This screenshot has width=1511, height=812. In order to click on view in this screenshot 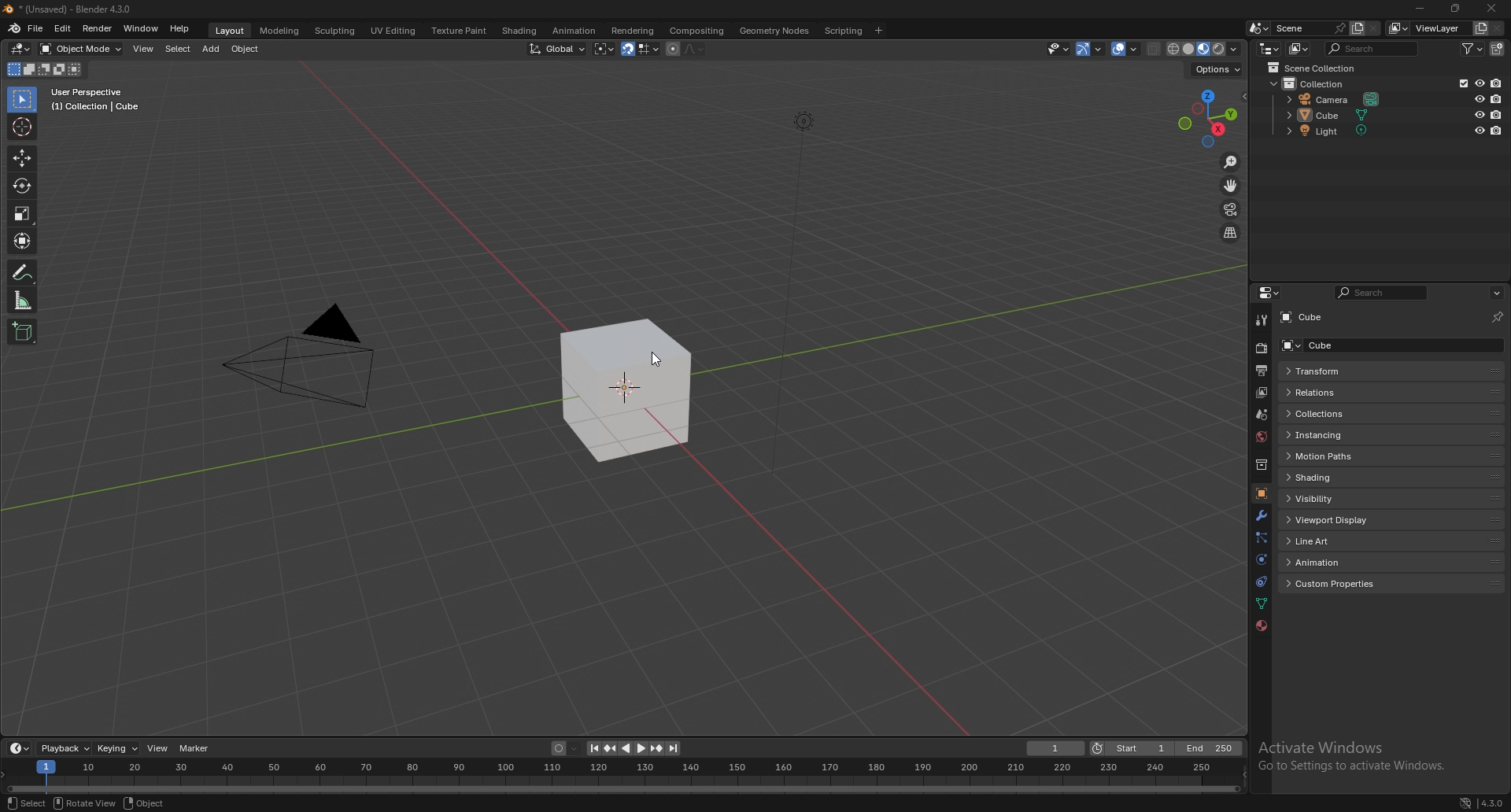, I will do `click(159, 748)`.